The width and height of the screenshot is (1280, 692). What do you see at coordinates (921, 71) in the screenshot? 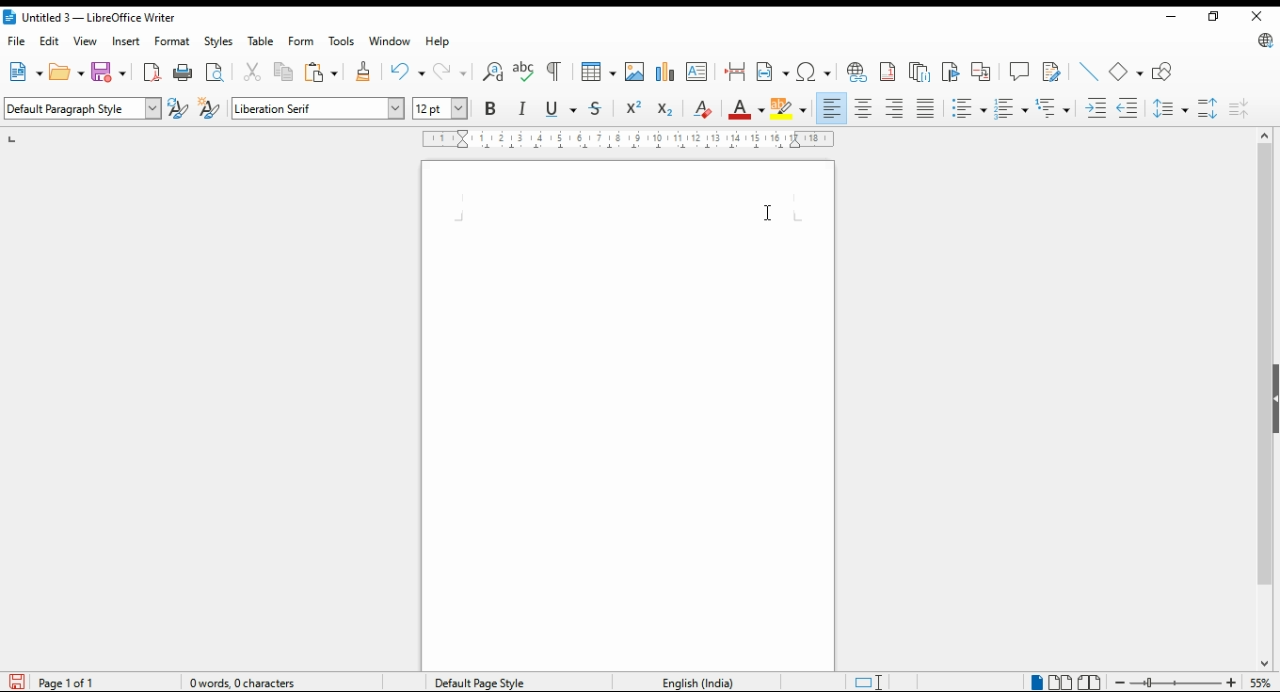
I see `insert endnote` at bounding box center [921, 71].